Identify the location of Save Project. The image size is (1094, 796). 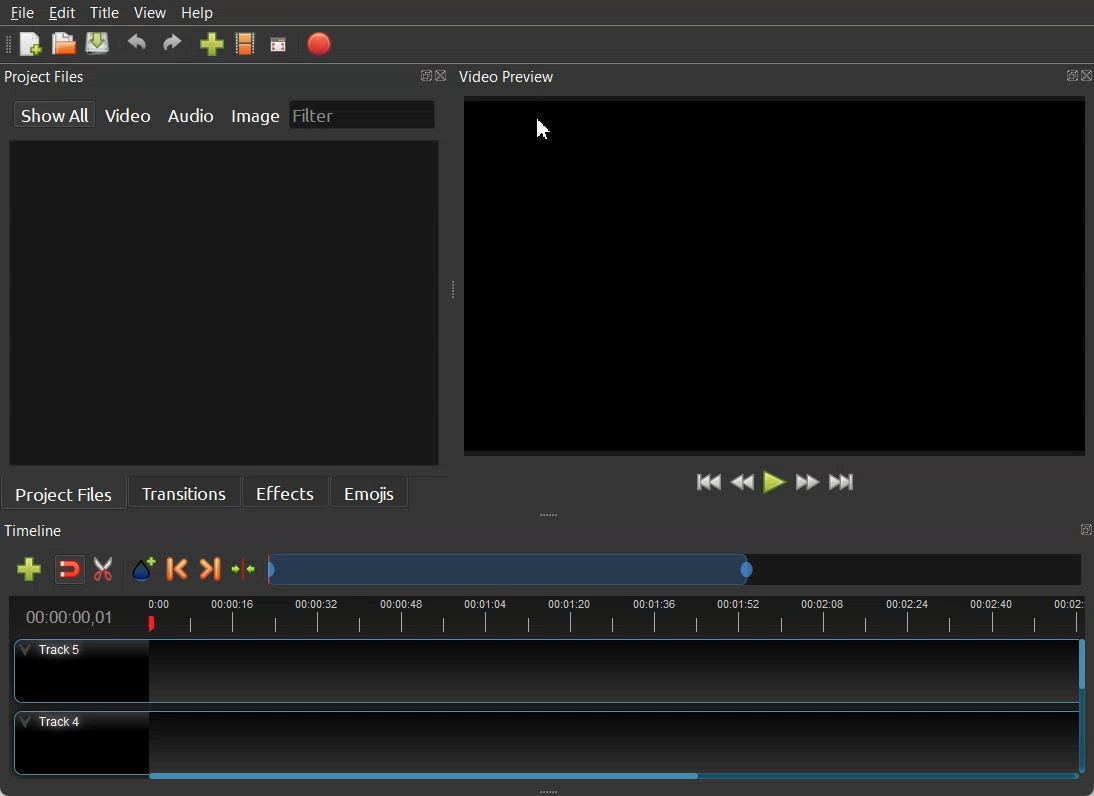
(98, 44).